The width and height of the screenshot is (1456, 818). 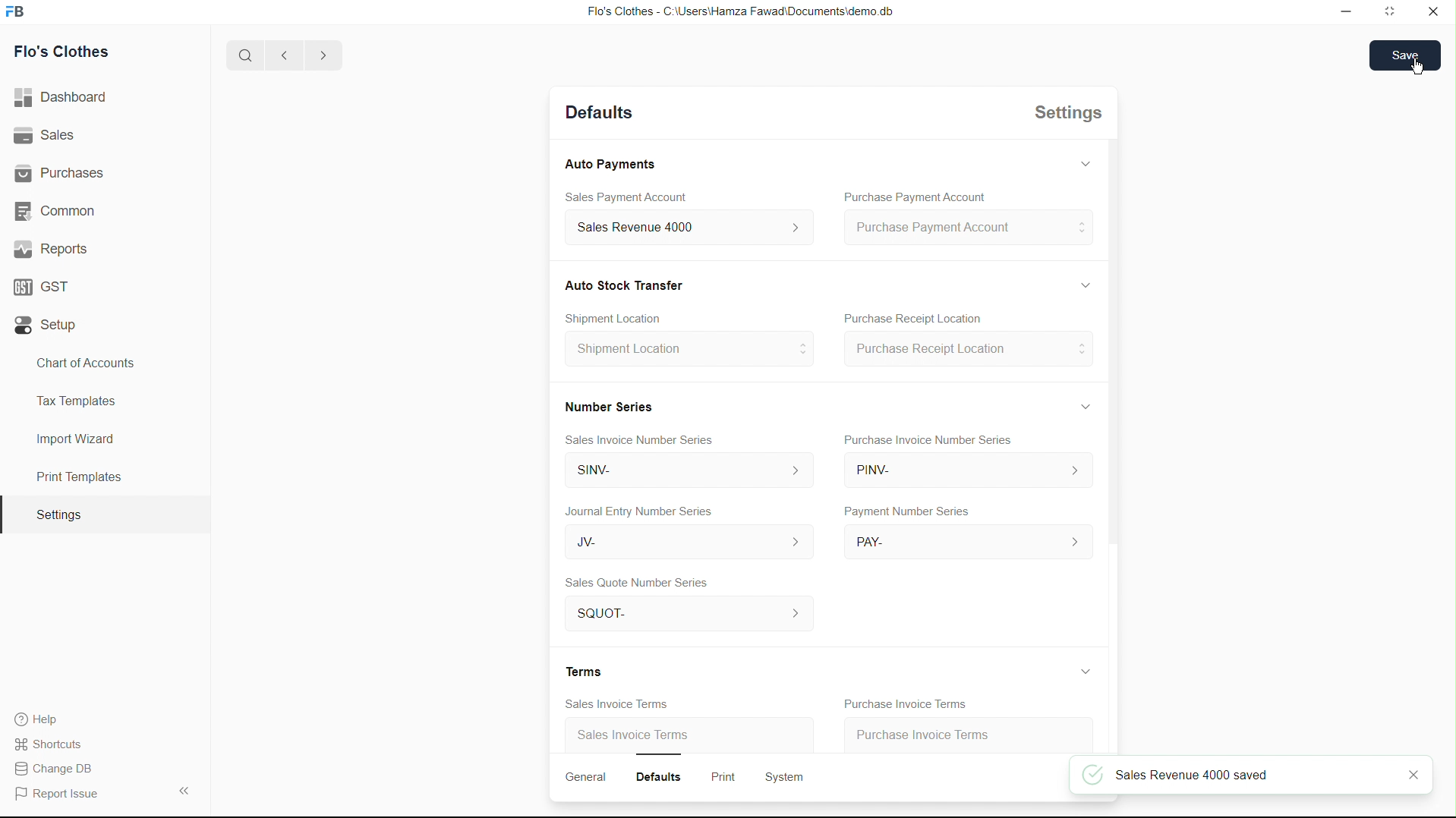 What do you see at coordinates (61, 794) in the screenshot?
I see `Report Issue` at bounding box center [61, 794].